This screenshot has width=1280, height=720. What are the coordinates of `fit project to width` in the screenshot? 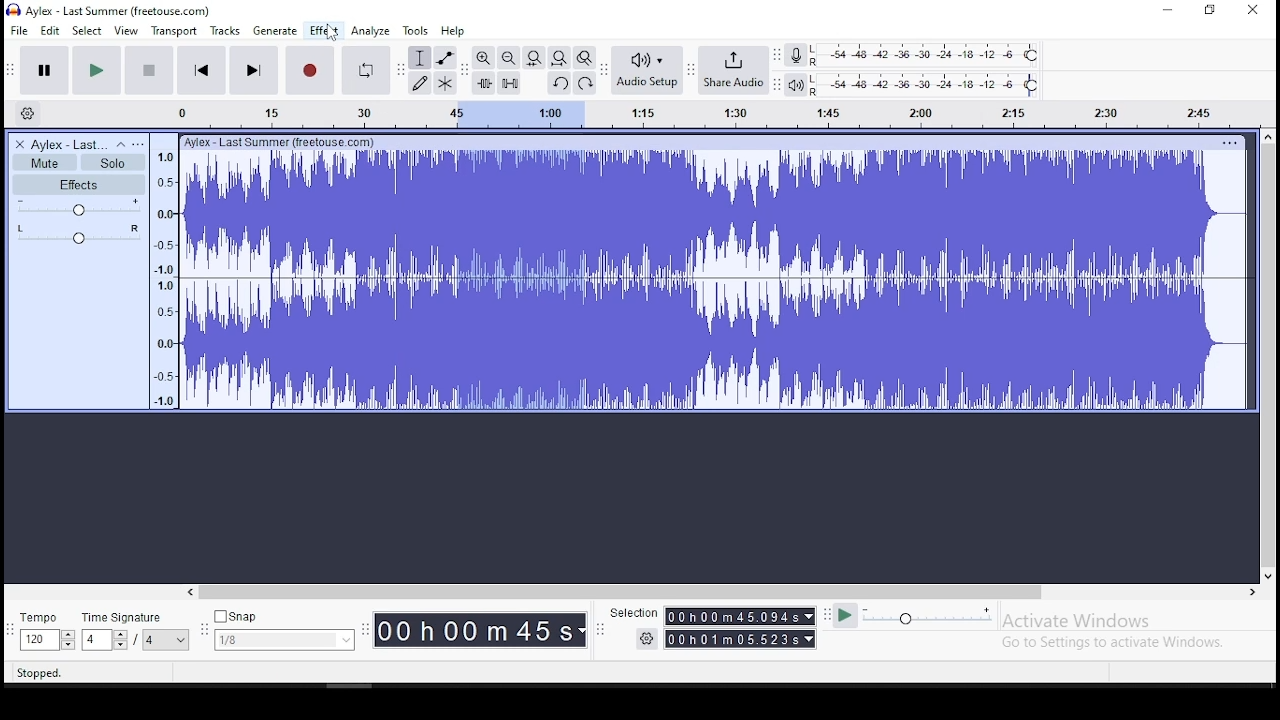 It's located at (559, 57).